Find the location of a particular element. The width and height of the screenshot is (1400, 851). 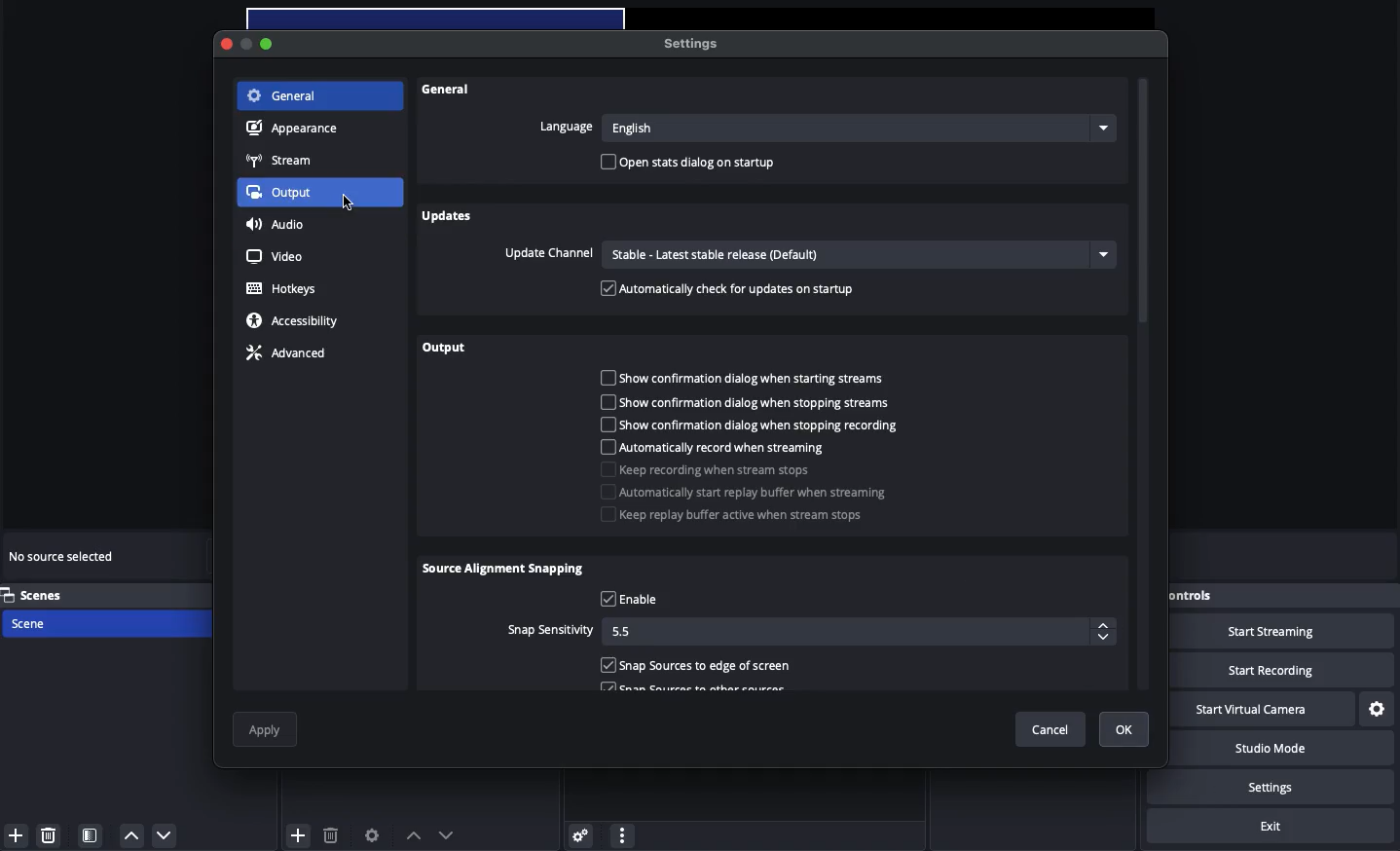

General is located at coordinates (448, 91).